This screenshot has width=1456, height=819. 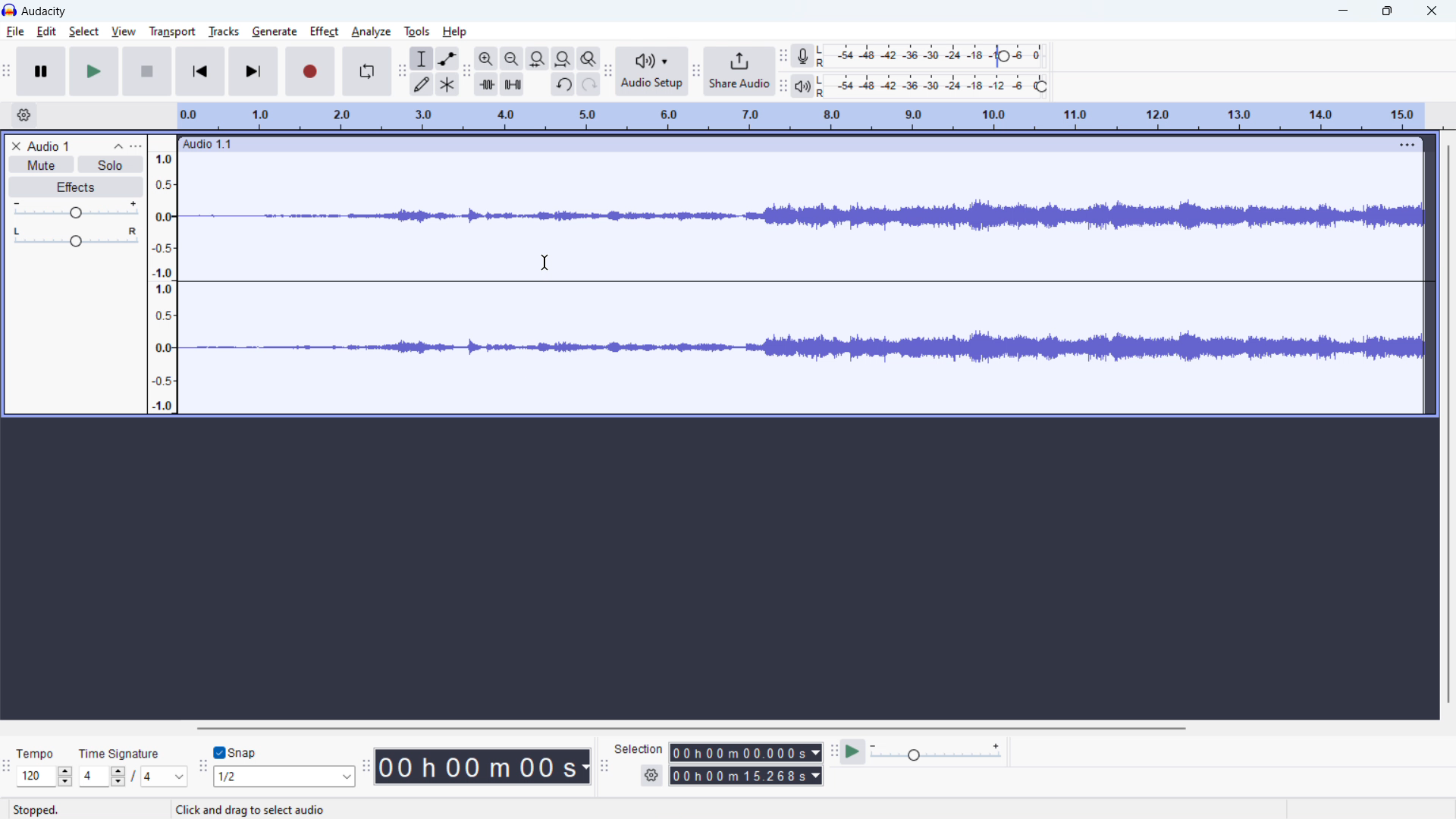 What do you see at coordinates (422, 58) in the screenshot?
I see `selection tool` at bounding box center [422, 58].